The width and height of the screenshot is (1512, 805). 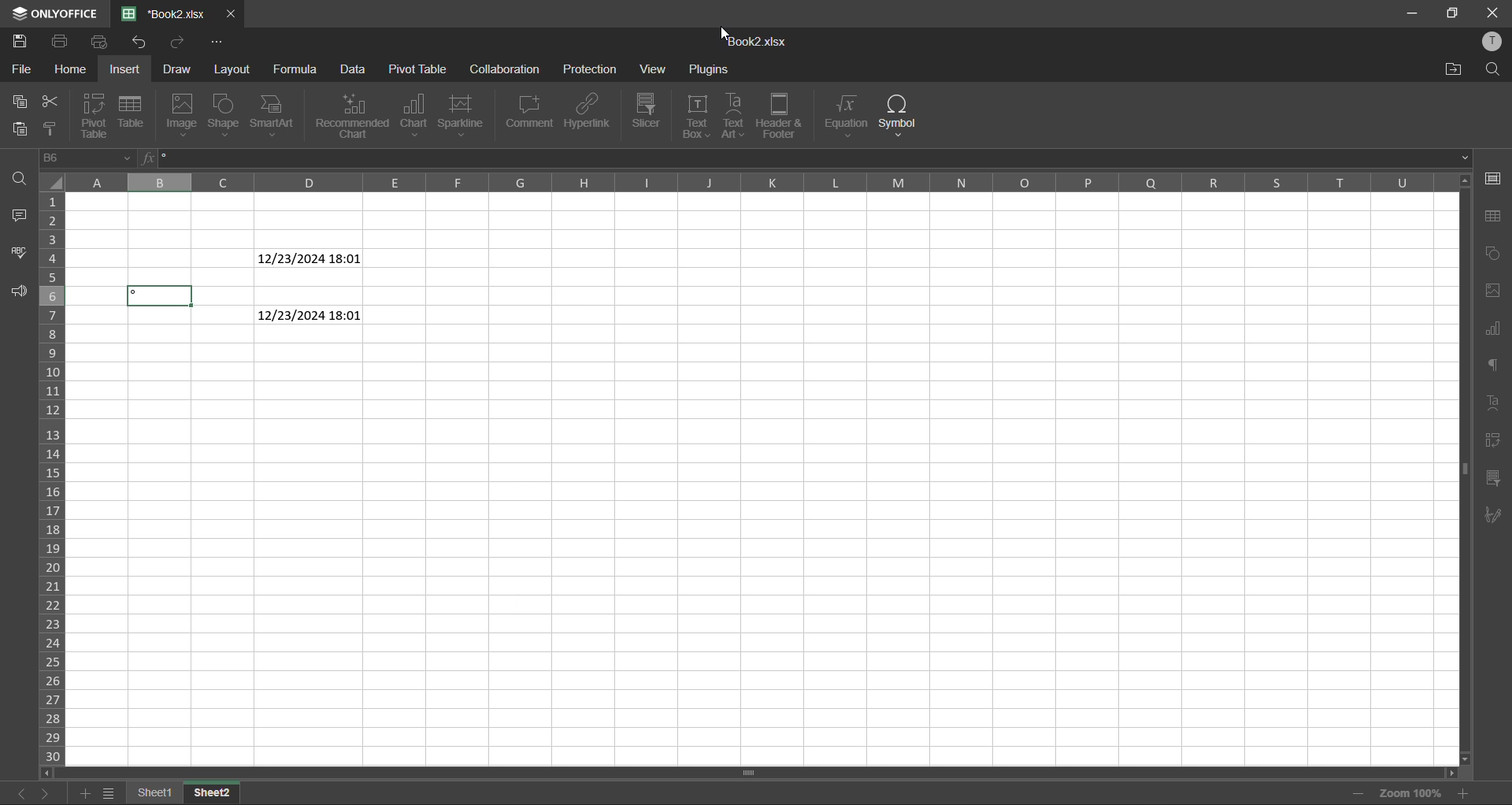 What do you see at coordinates (1452, 13) in the screenshot?
I see `maximize` at bounding box center [1452, 13].